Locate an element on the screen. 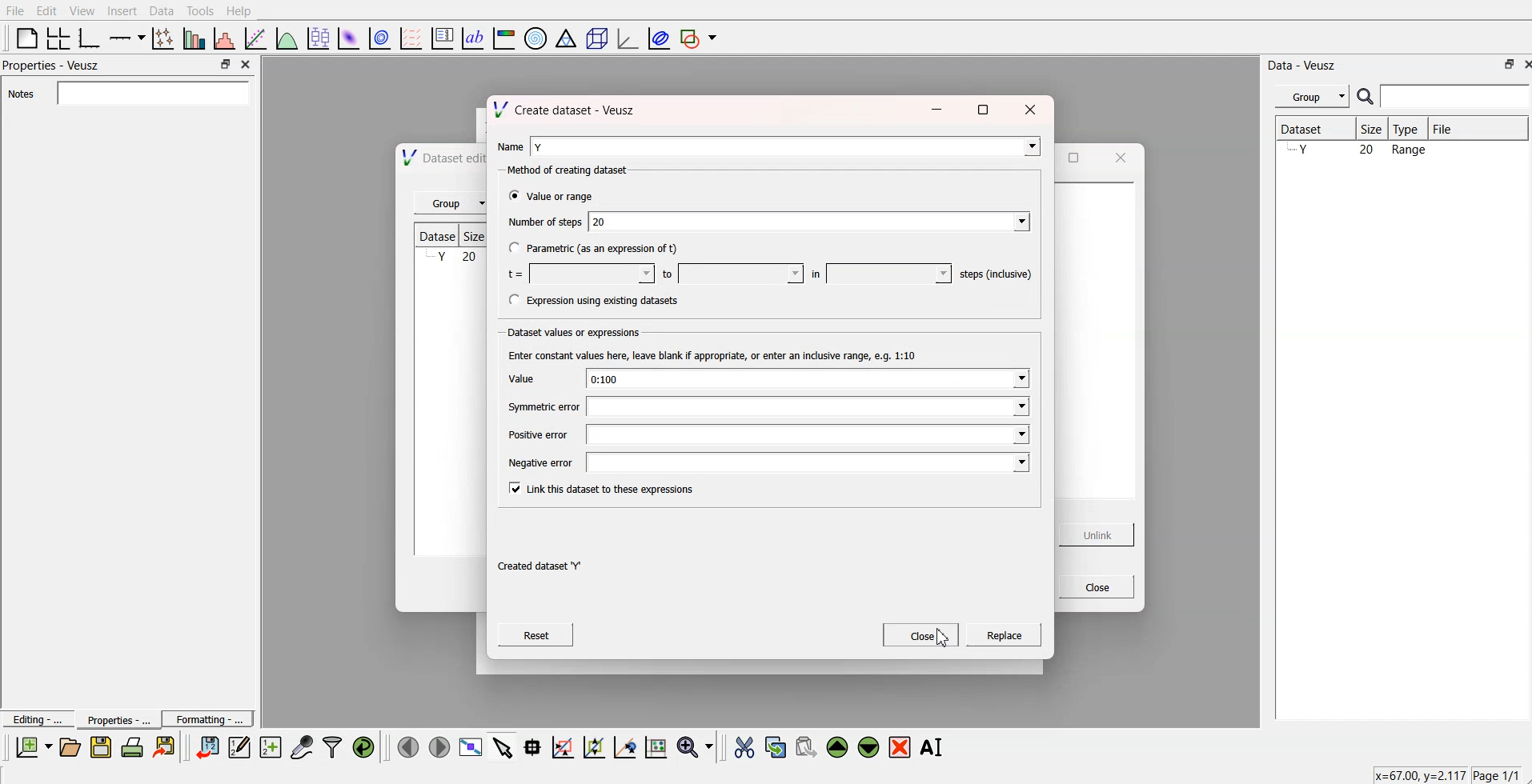 This screenshot has height=784, width=1532. plot a 2D dataset as cont is located at coordinates (381, 38).